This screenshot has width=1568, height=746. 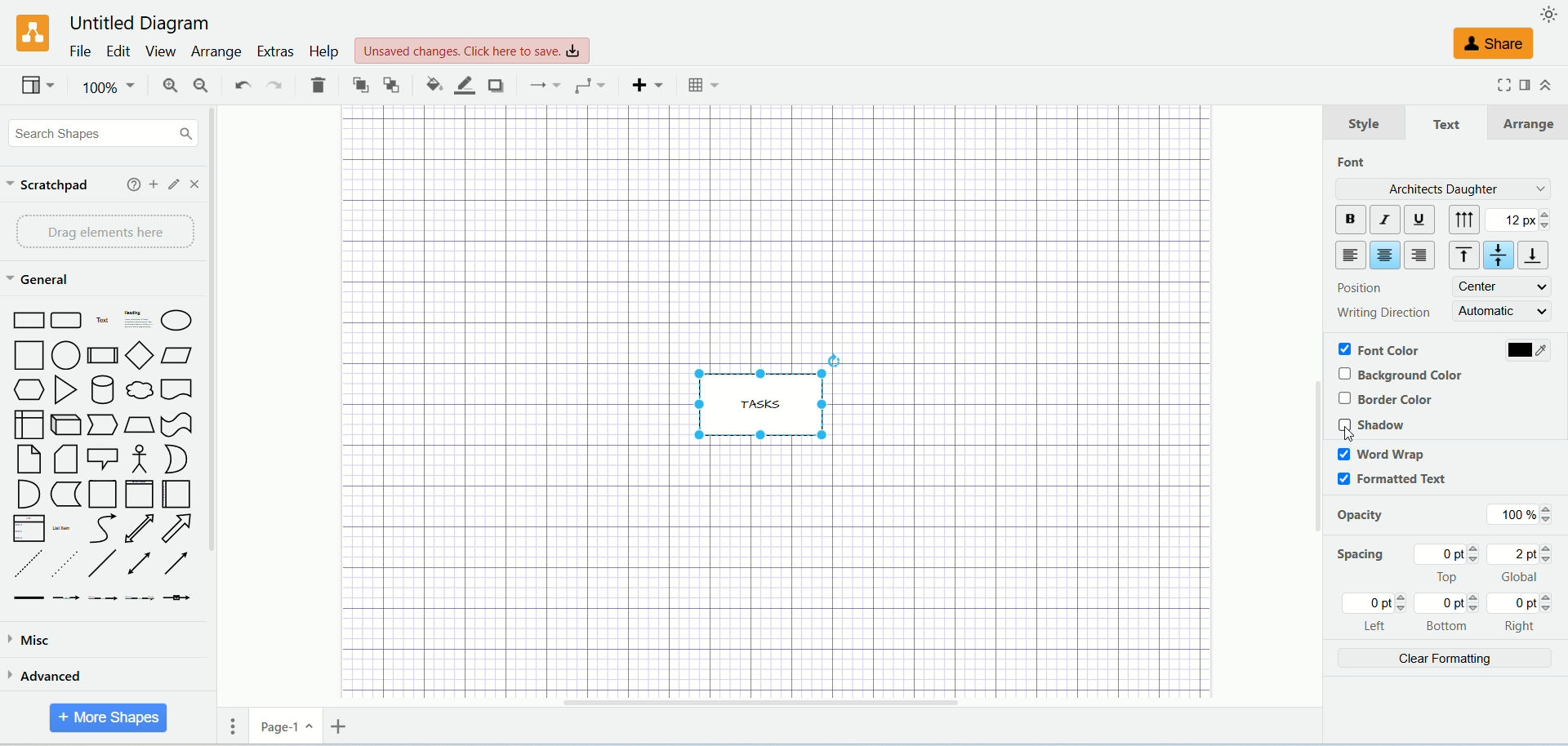 What do you see at coordinates (1383, 310) in the screenshot?
I see `writing direction` at bounding box center [1383, 310].